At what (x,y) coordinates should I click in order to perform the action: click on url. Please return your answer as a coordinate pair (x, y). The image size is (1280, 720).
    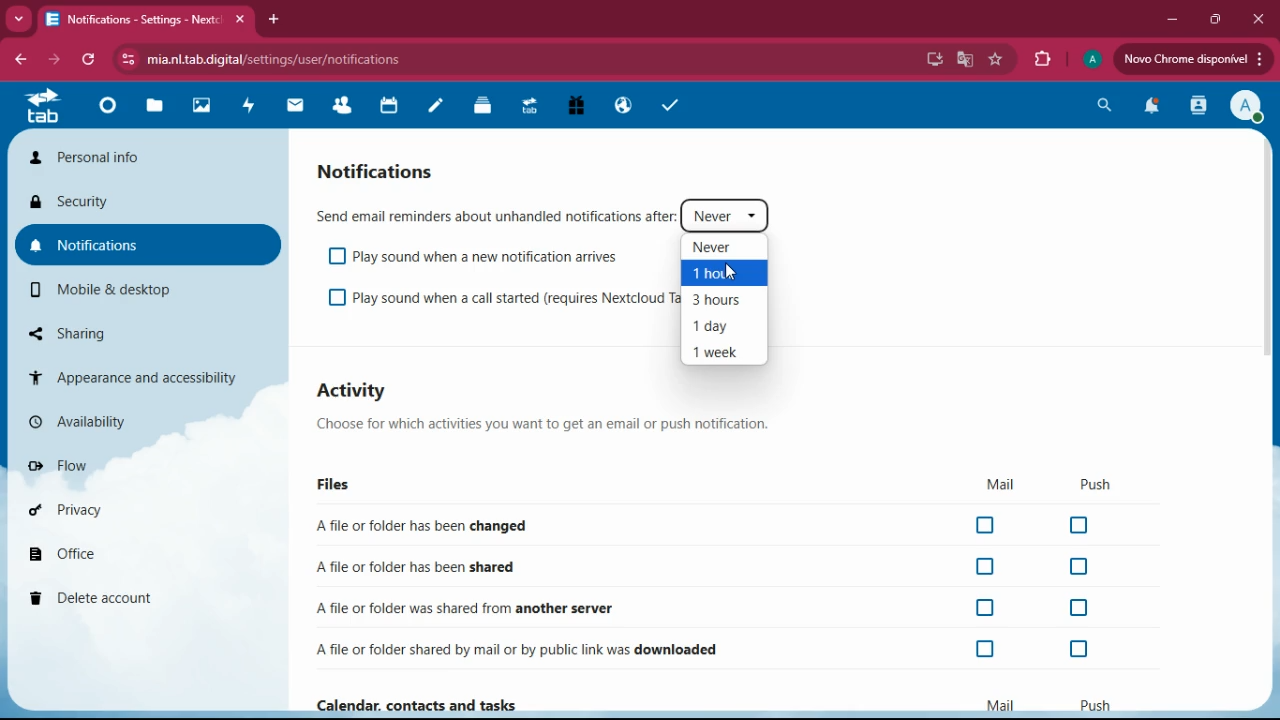
    Looking at the image, I should click on (264, 57).